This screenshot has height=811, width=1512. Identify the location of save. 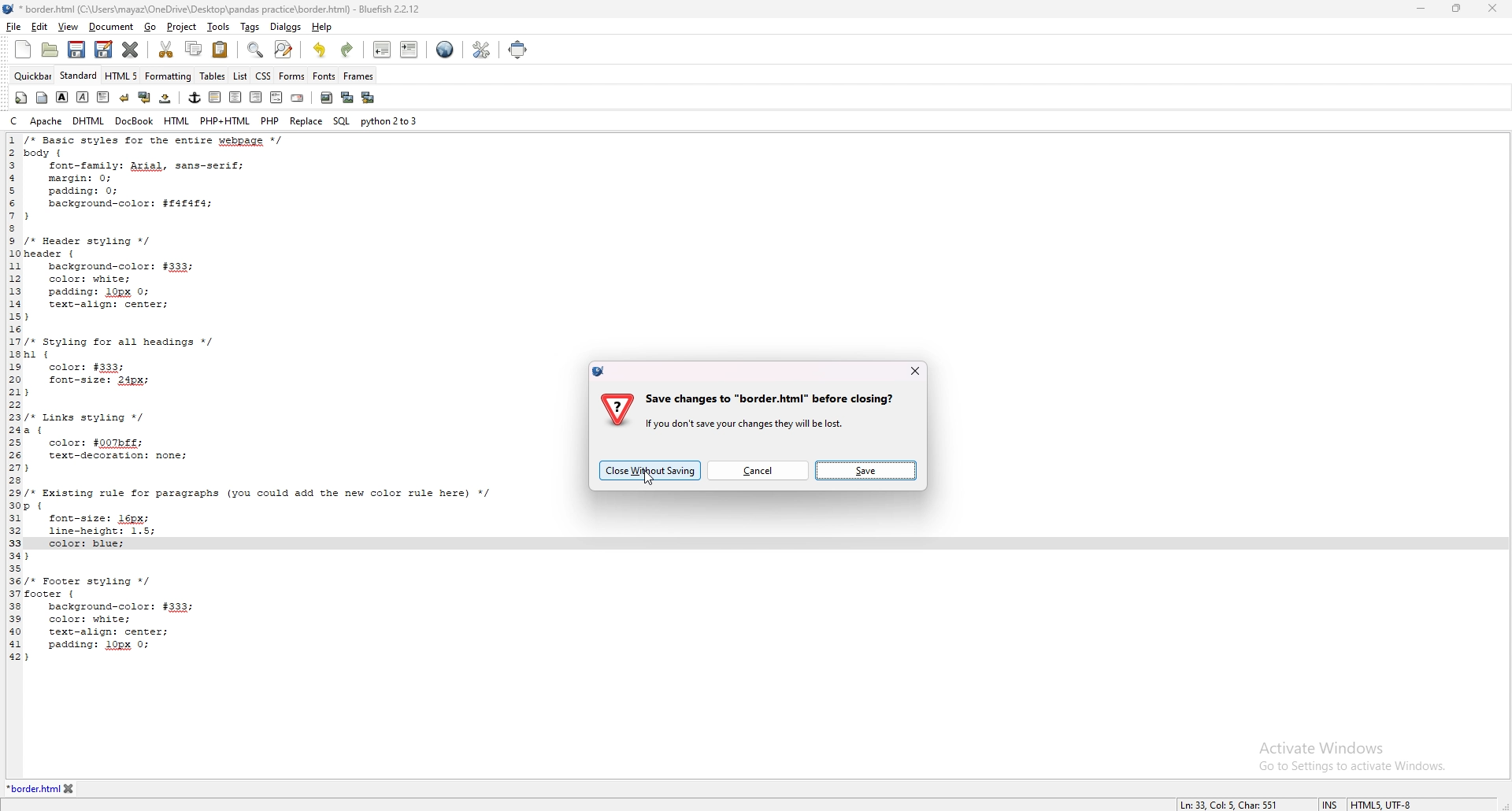
(867, 469).